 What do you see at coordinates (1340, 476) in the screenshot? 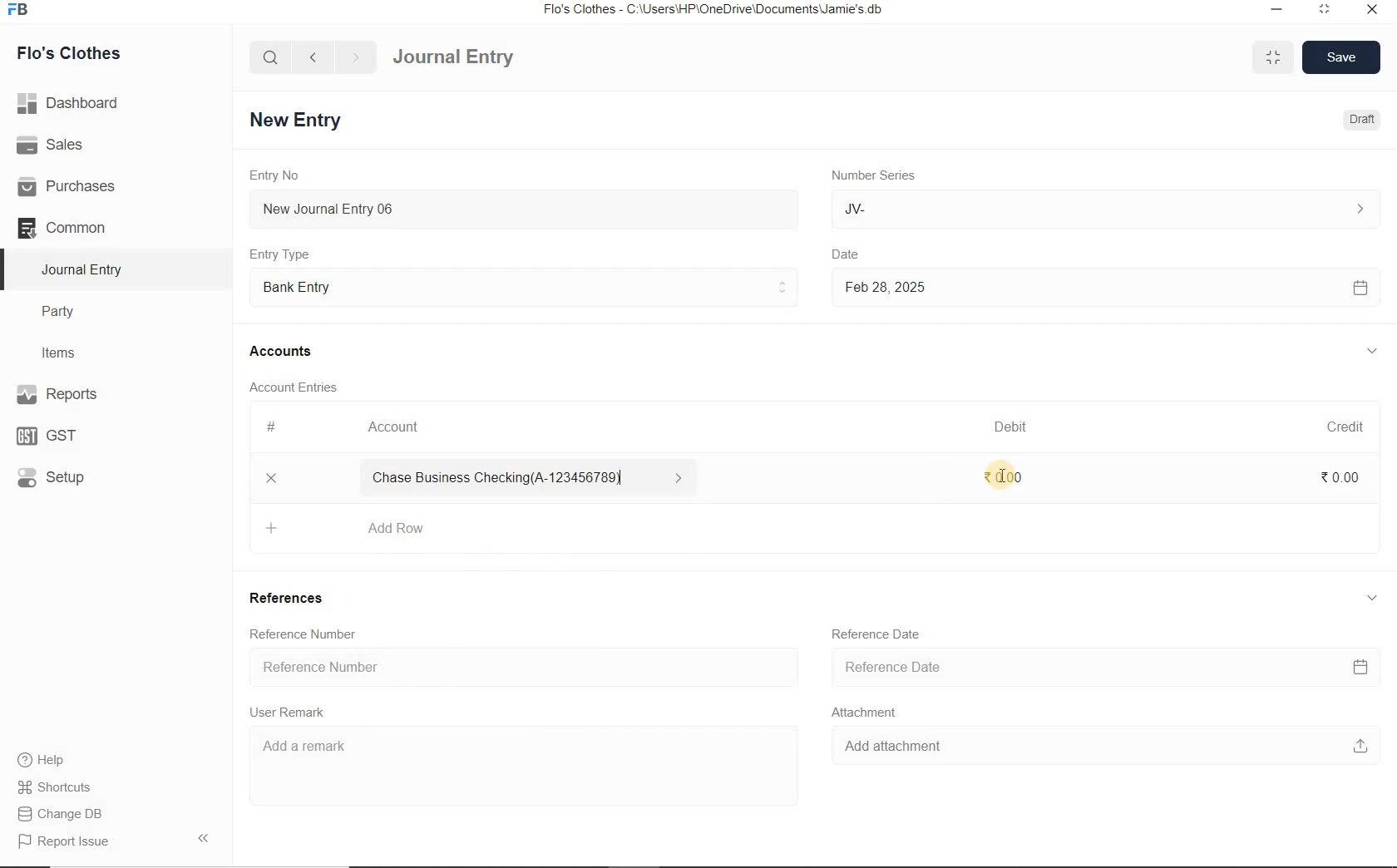
I see `₹0.00` at bounding box center [1340, 476].